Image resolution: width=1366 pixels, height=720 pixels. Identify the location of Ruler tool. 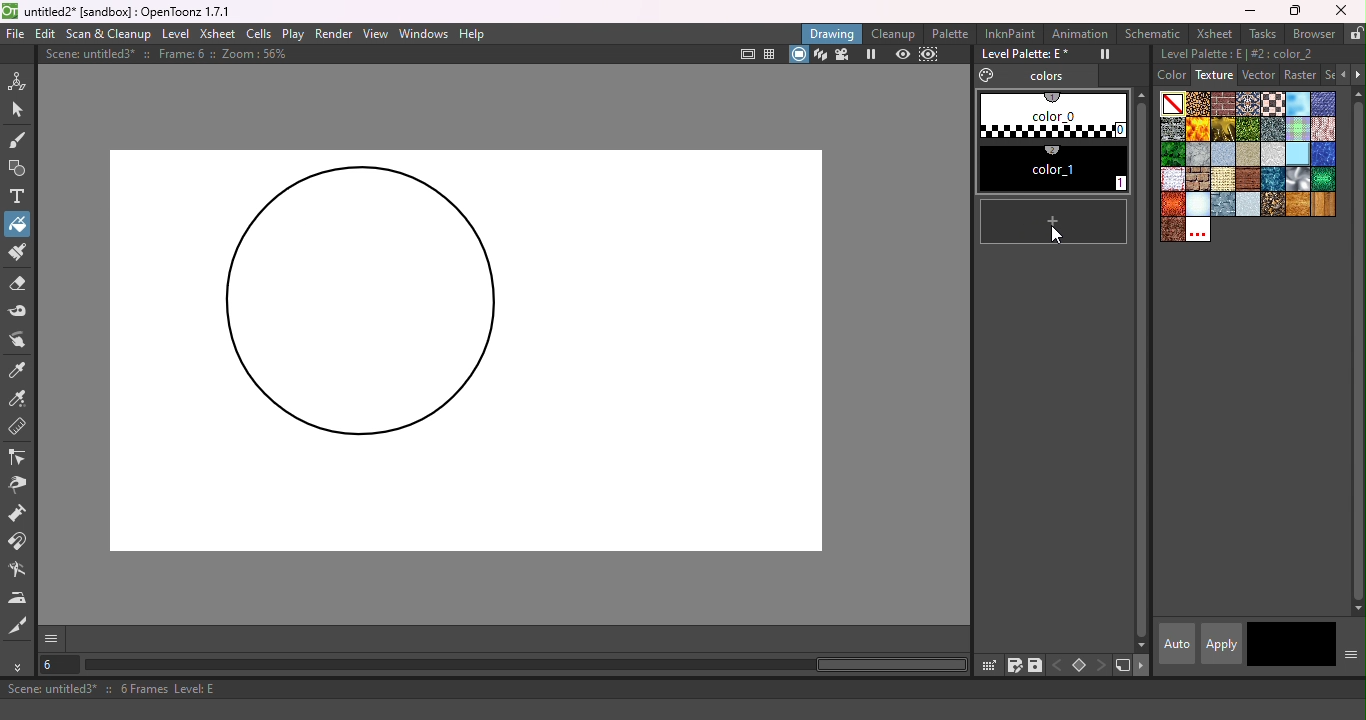
(19, 428).